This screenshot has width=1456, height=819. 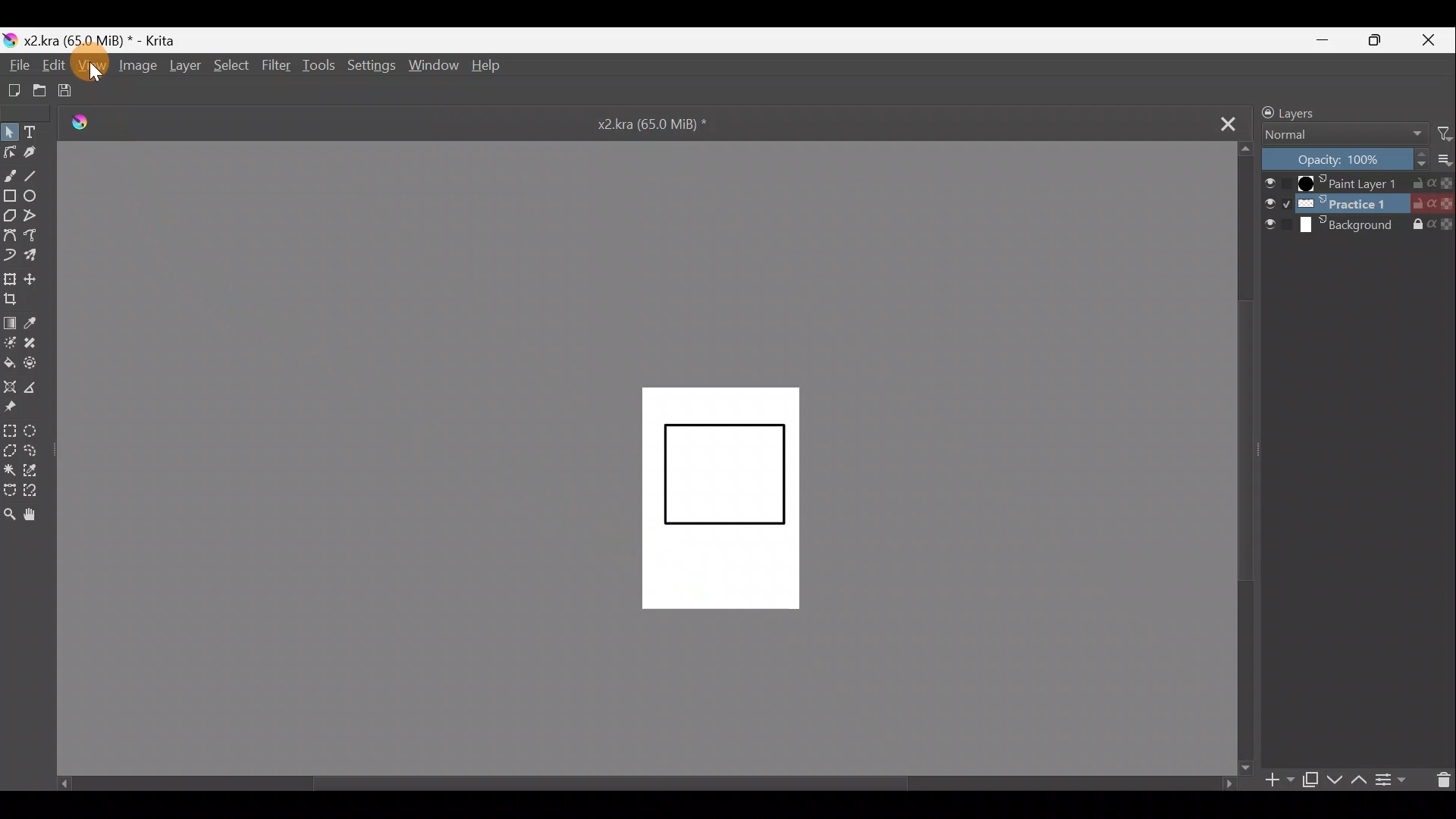 What do you see at coordinates (36, 281) in the screenshot?
I see `Move a layer` at bounding box center [36, 281].